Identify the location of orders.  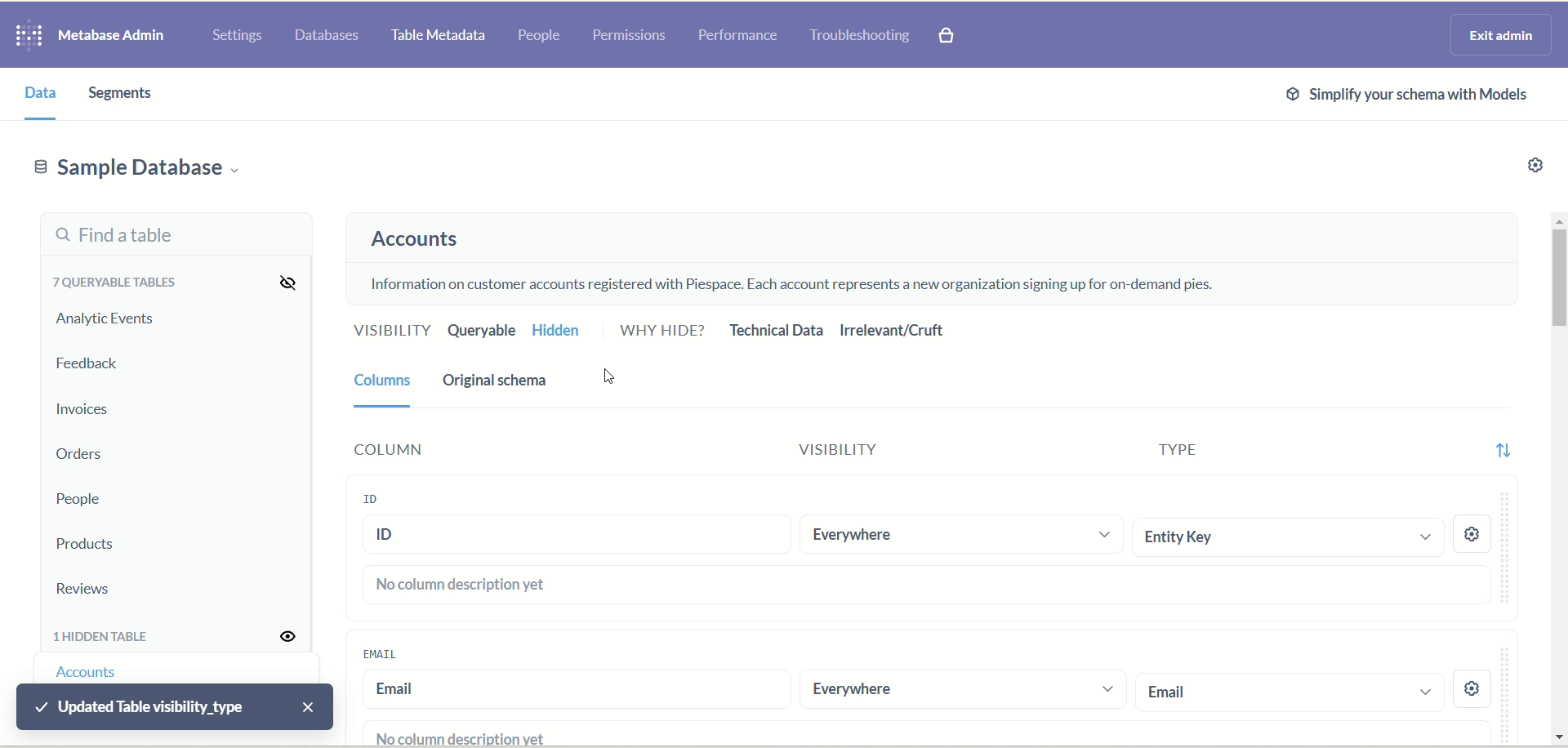
(84, 456).